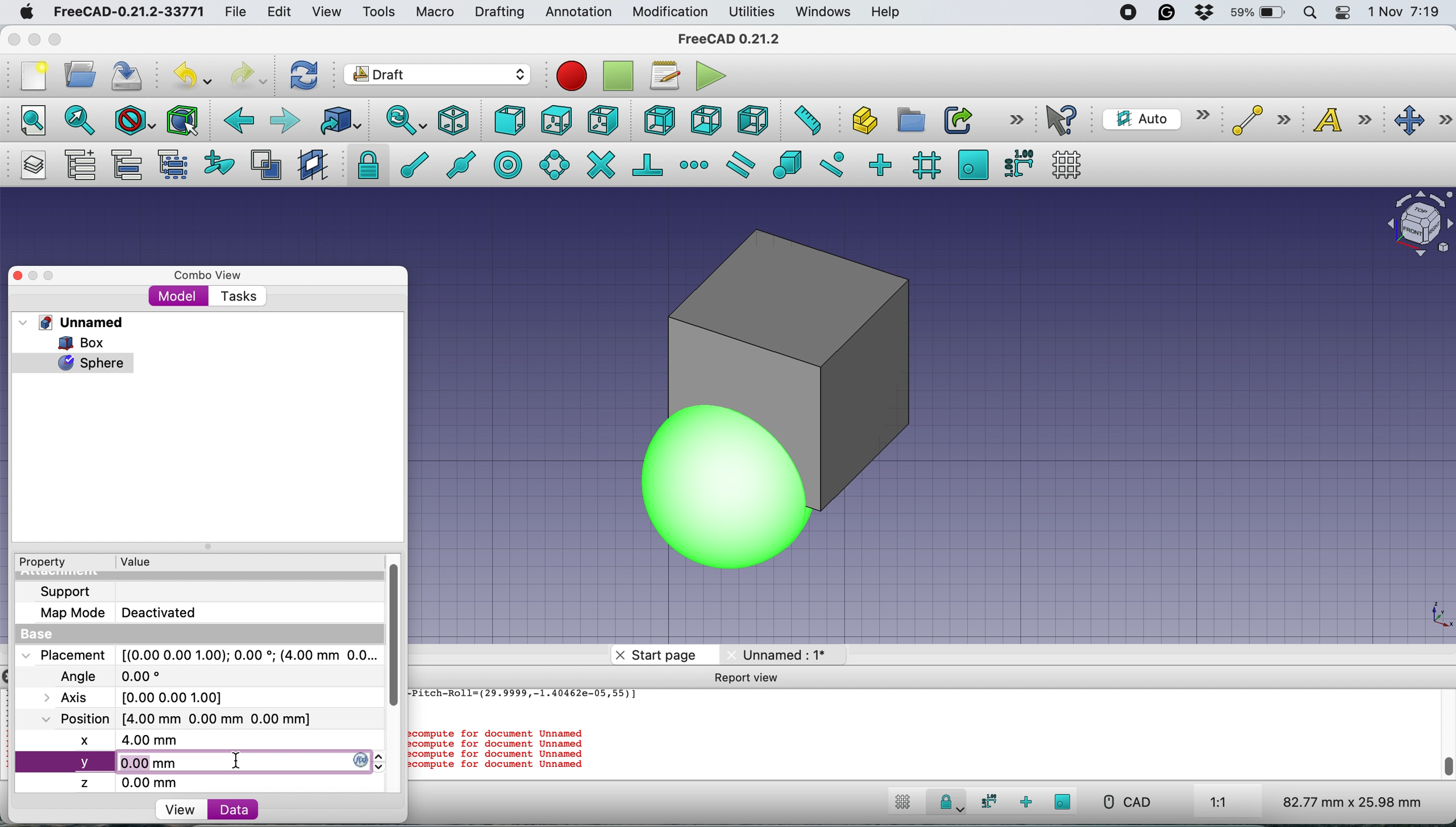 The image size is (1456, 827). I want to click on close, so click(20, 274).